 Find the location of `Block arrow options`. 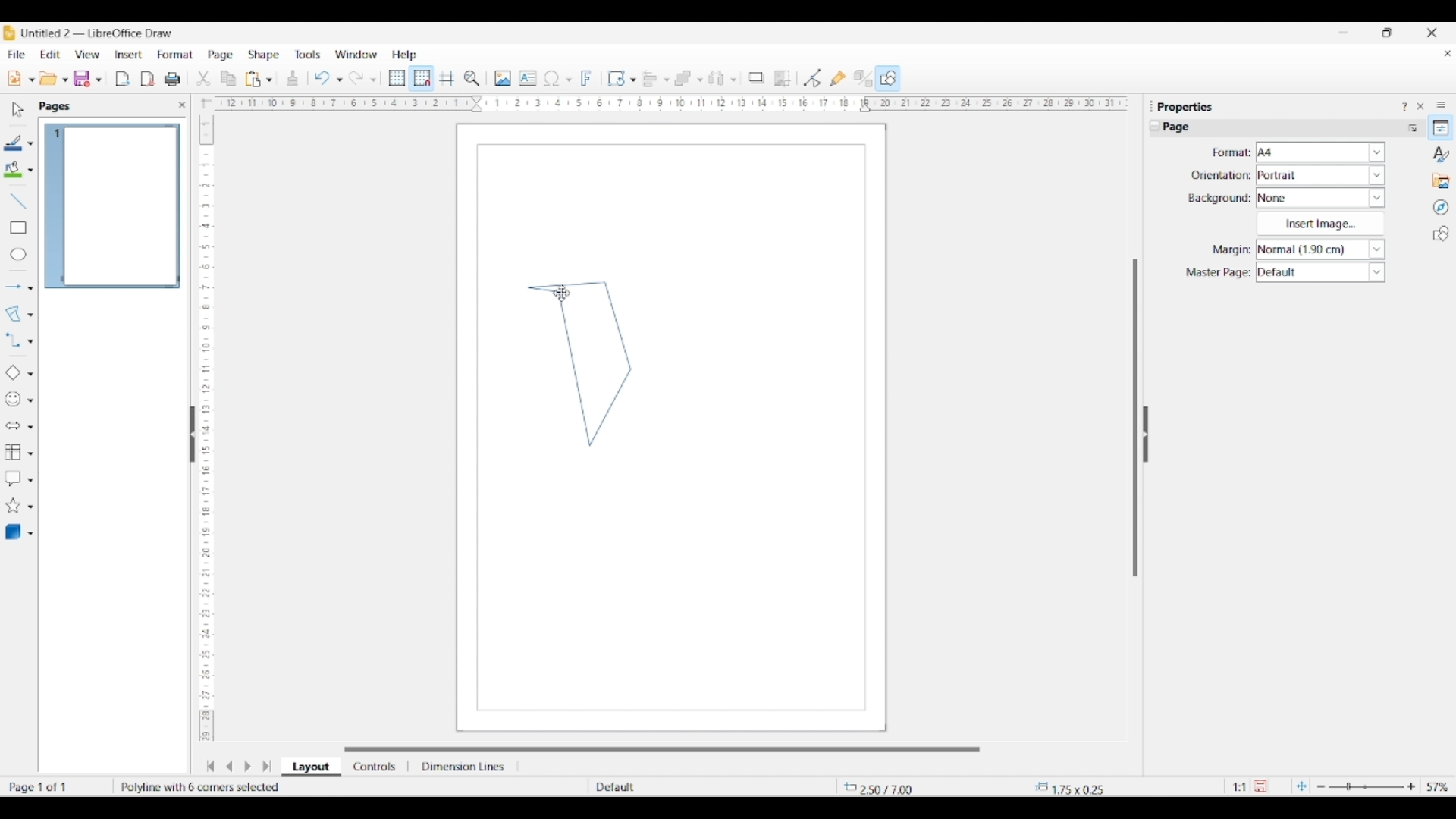

Block arrow options is located at coordinates (30, 427).